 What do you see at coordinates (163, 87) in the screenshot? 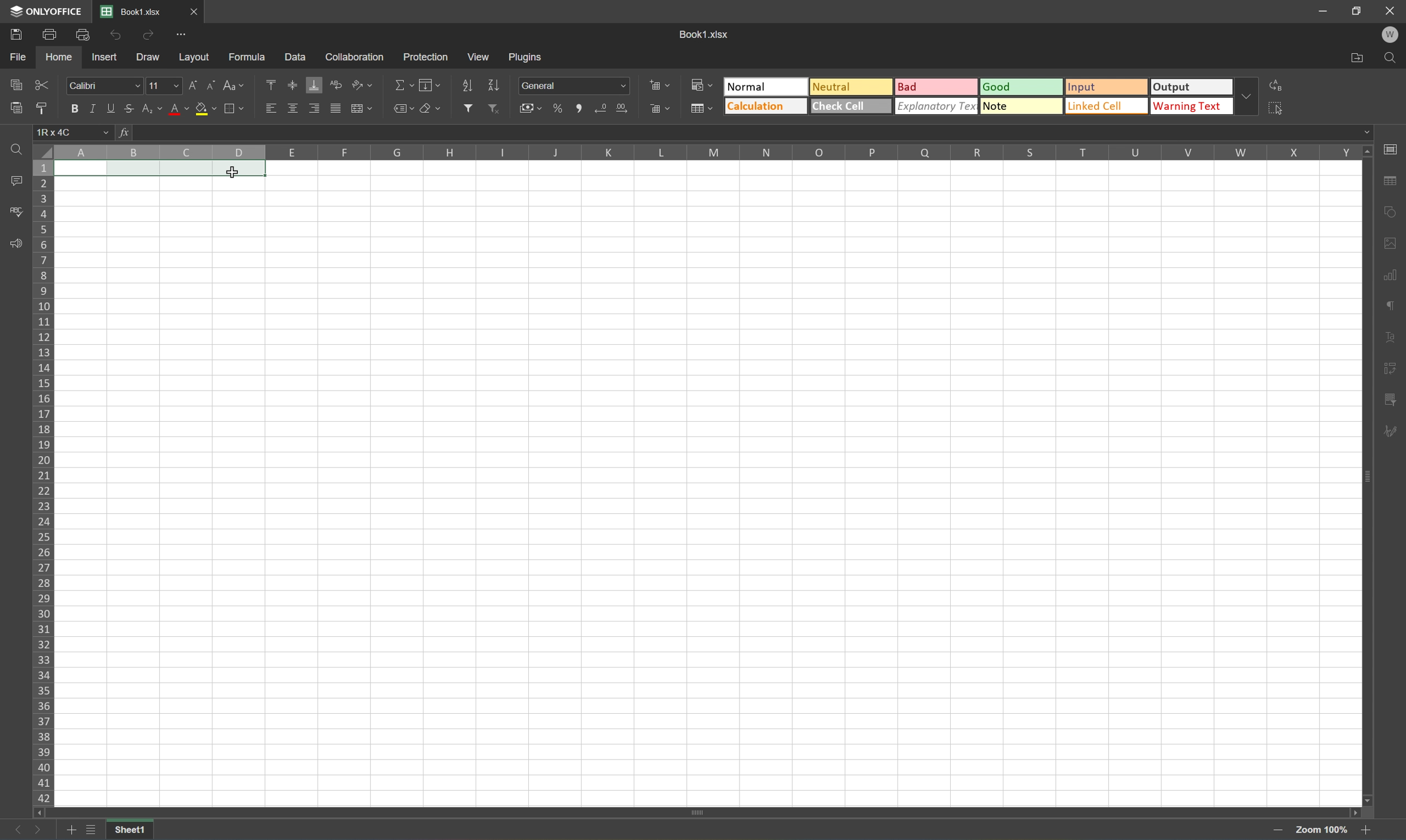
I see `Font size` at bounding box center [163, 87].